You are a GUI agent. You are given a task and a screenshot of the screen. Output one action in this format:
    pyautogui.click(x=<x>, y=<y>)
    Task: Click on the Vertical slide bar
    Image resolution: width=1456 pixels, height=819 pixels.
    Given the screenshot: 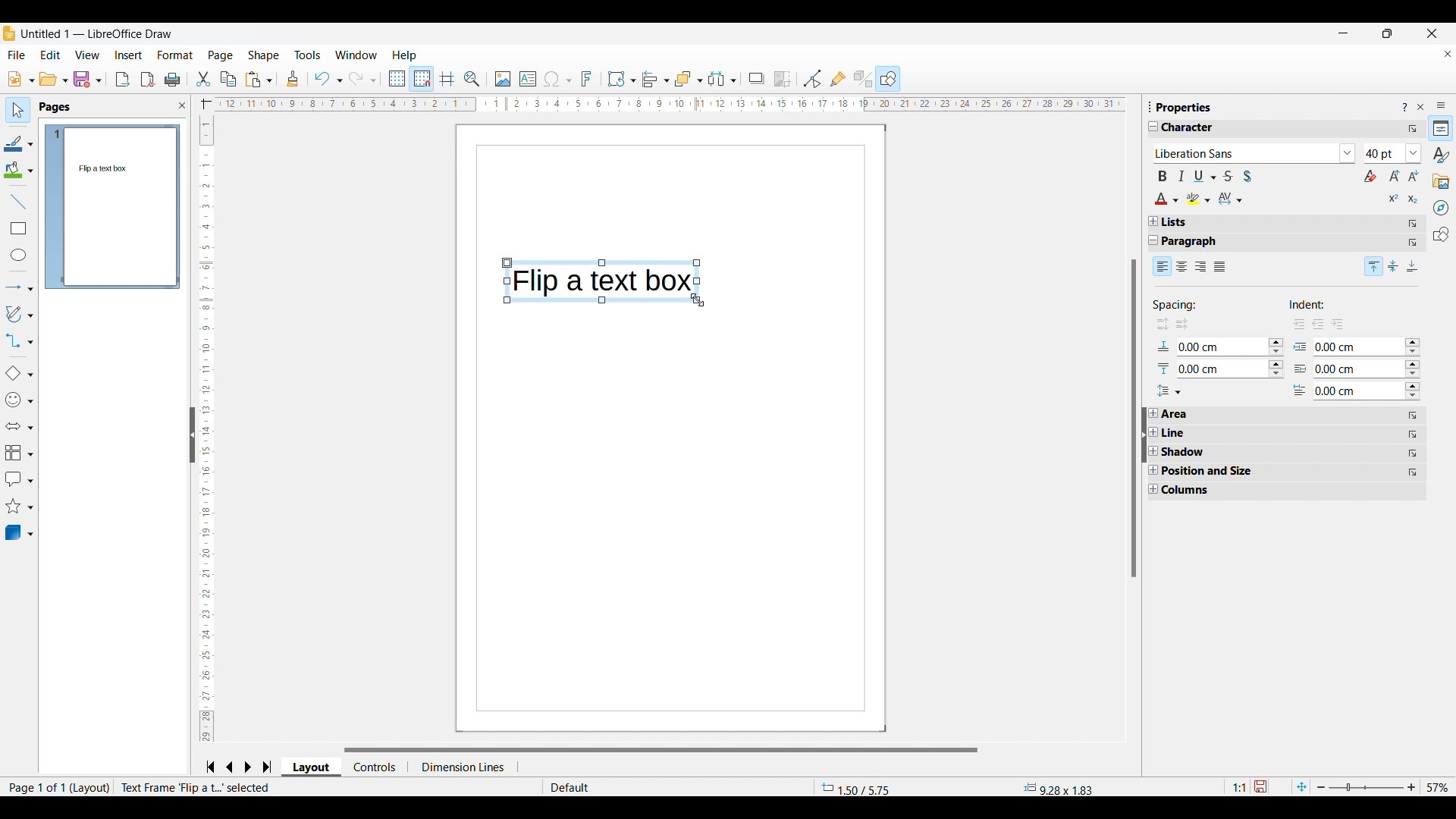 What is the action you would take?
    pyautogui.click(x=203, y=430)
    